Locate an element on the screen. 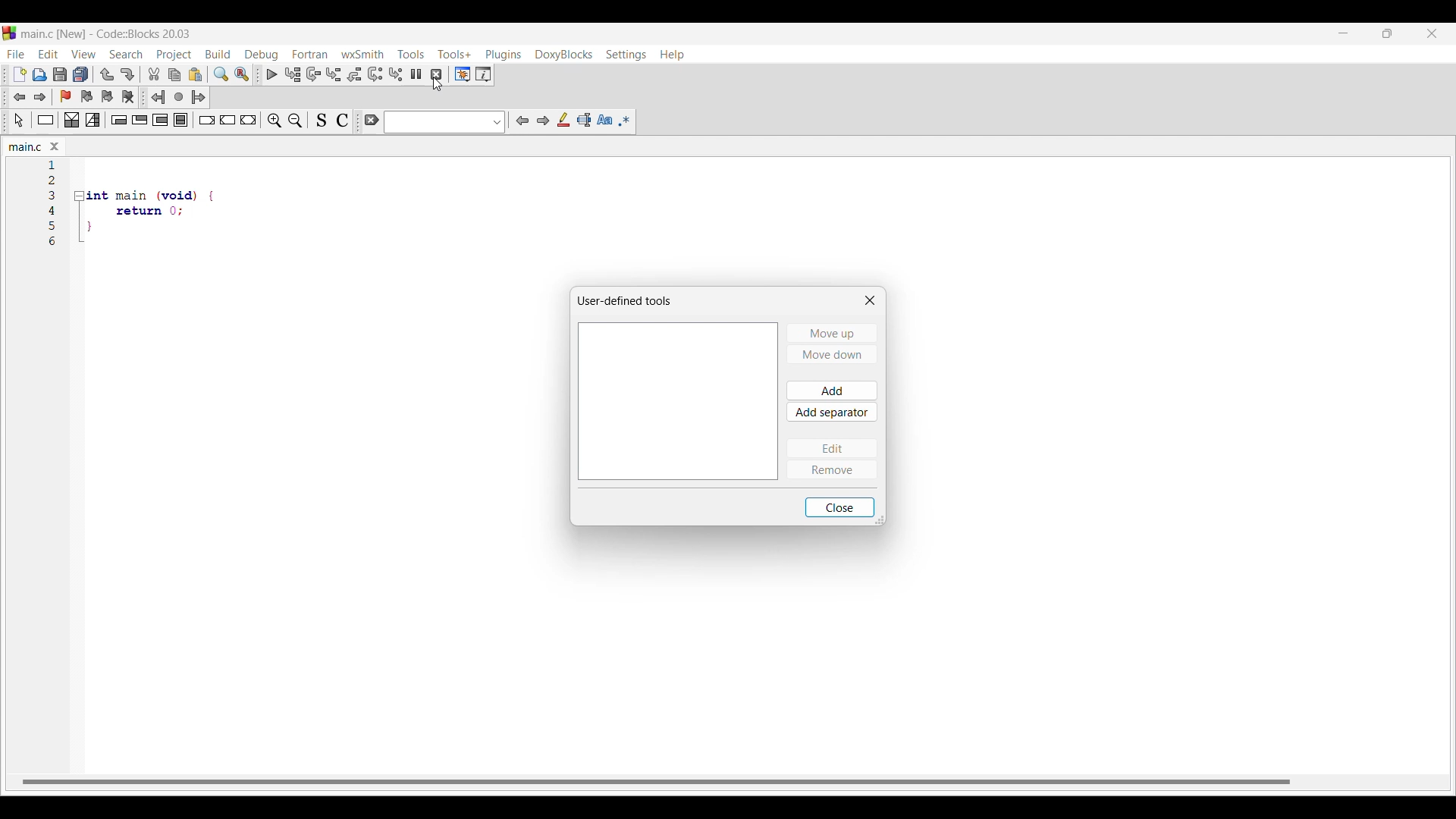 This screenshot has width=1456, height=819. Show interface in smaller tab is located at coordinates (1387, 33).